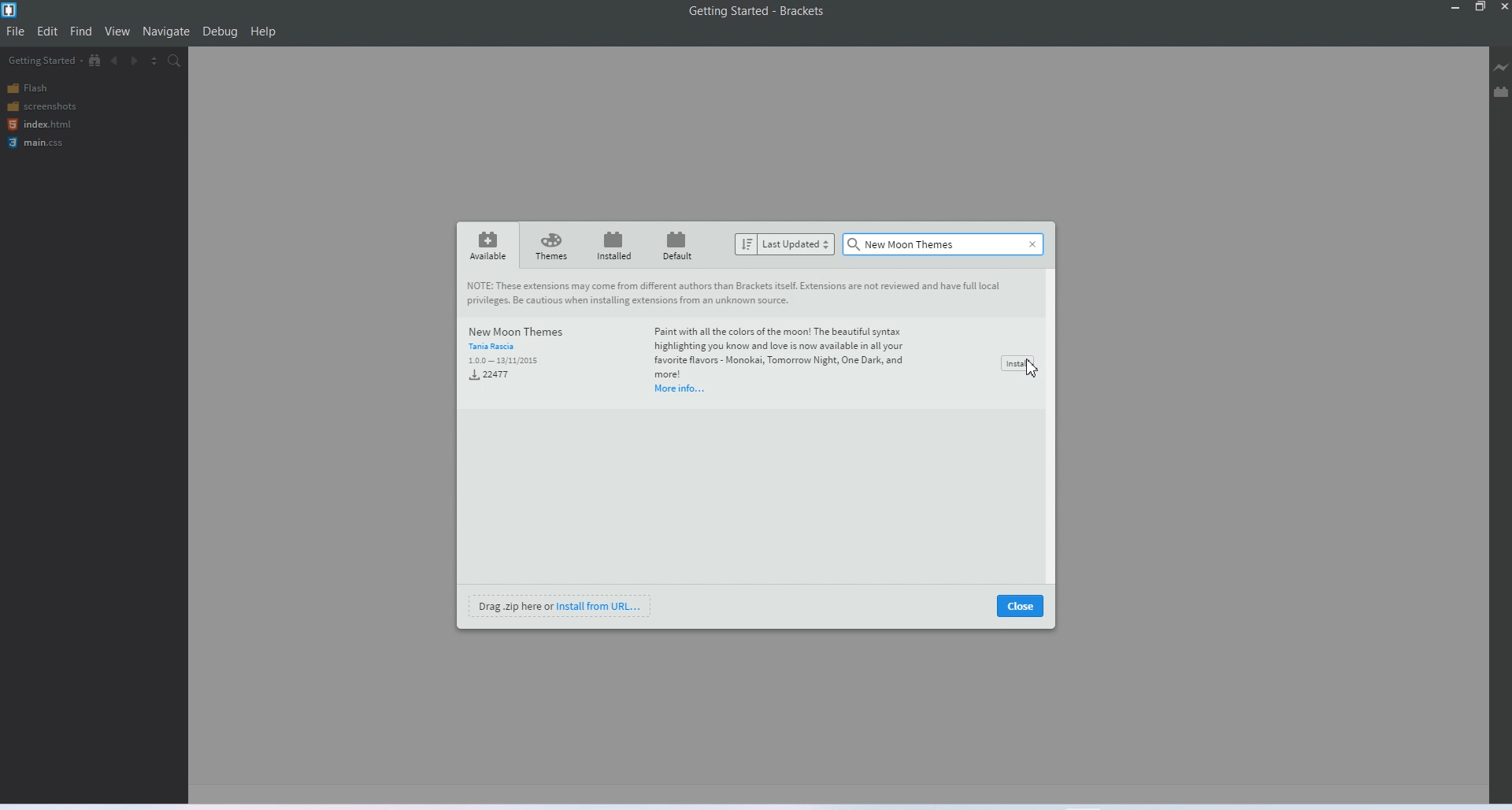  Describe the element at coordinates (154, 60) in the screenshot. I see `Split editor view vertically and horizontally` at that location.